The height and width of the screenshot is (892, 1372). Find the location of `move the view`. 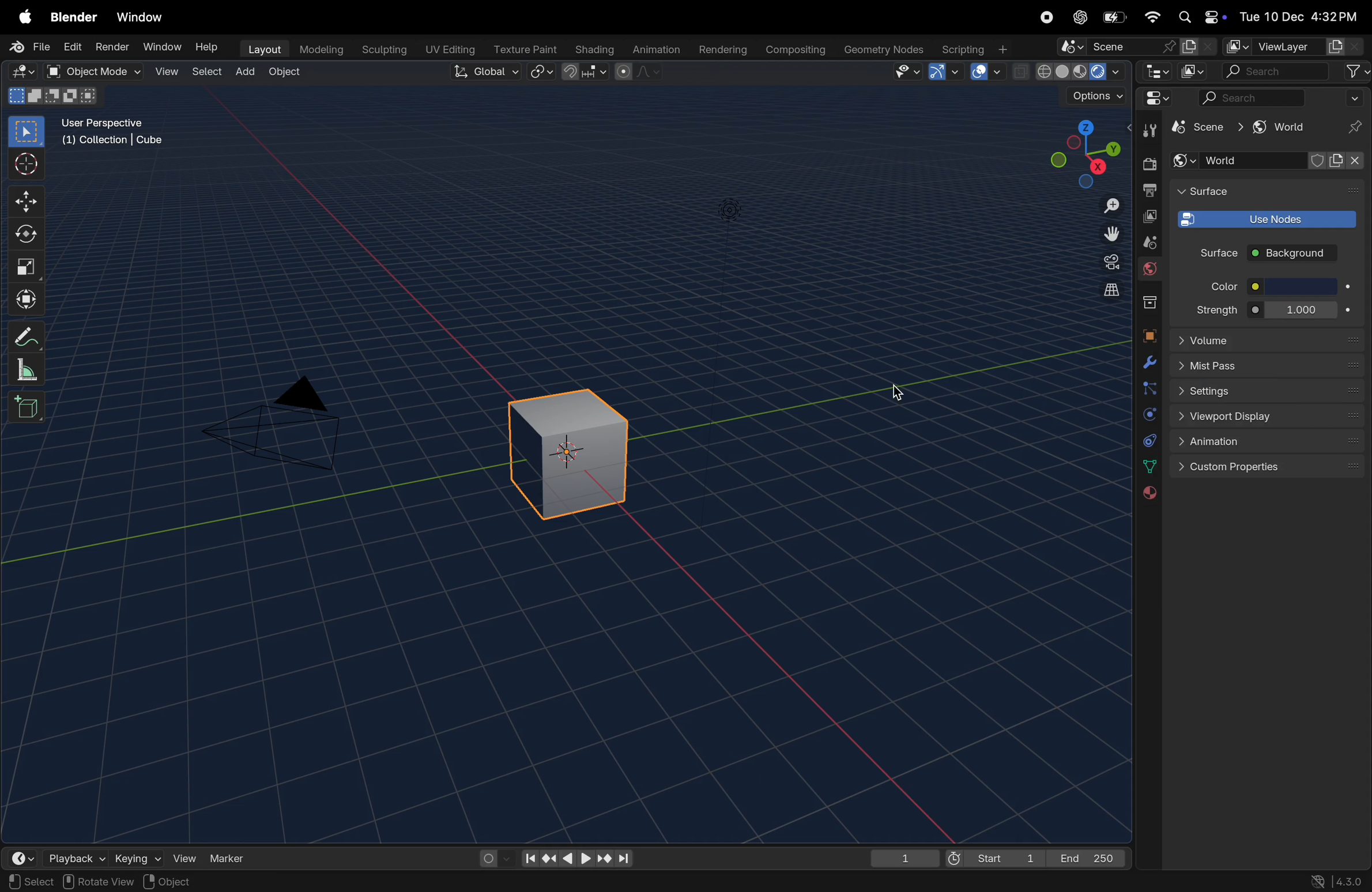

move the view is located at coordinates (1107, 233).